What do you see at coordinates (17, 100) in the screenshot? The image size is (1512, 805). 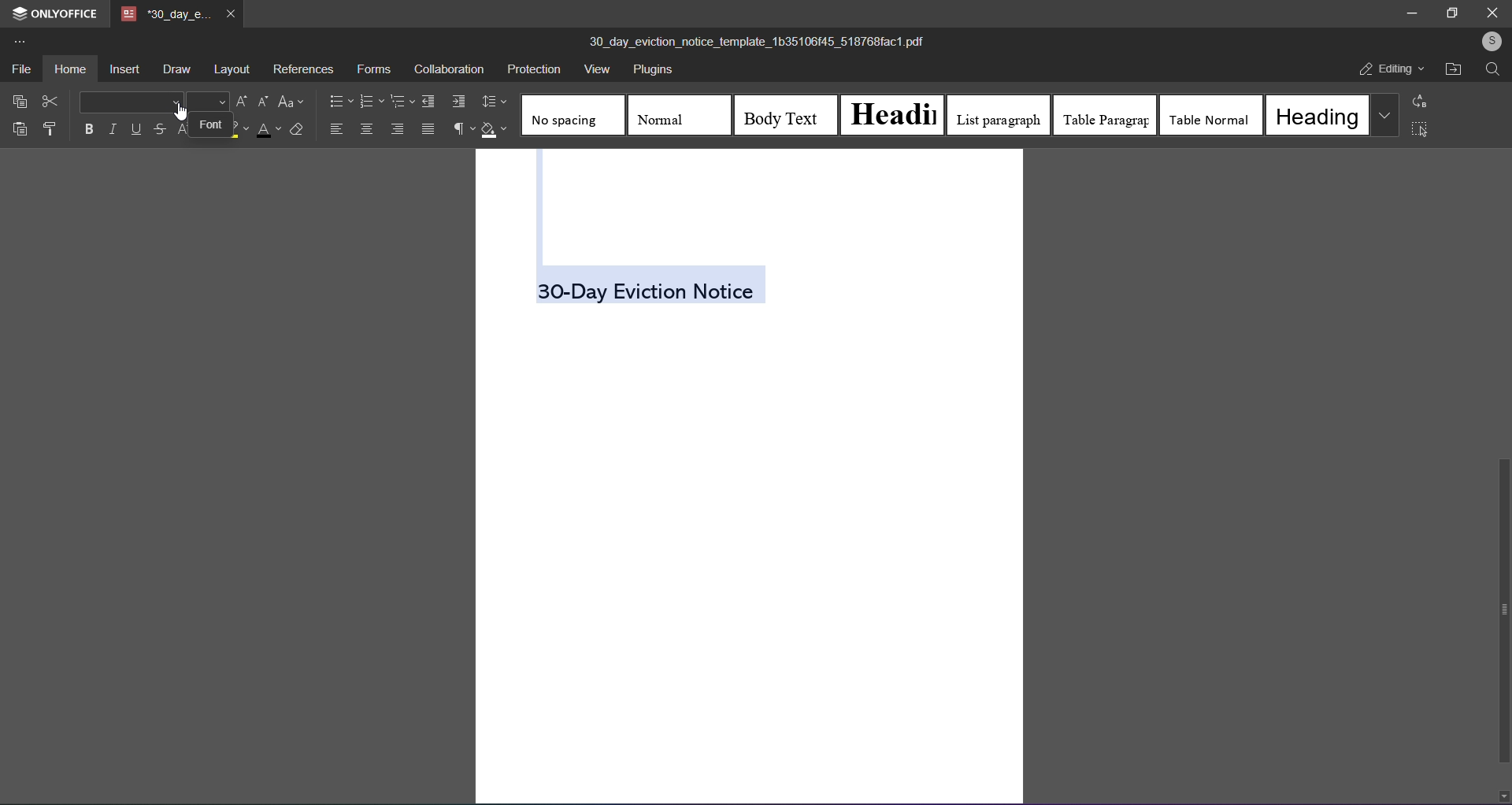 I see `copy` at bounding box center [17, 100].